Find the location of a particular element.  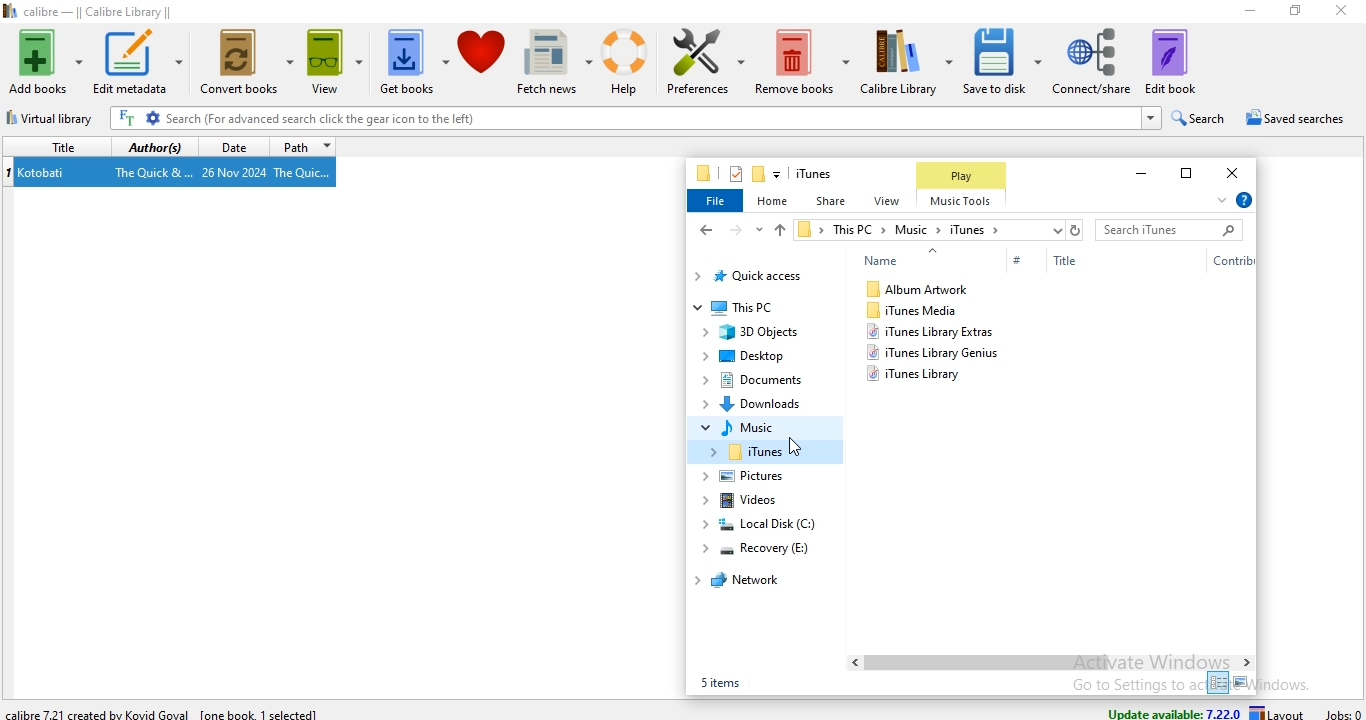

calibre library is located at coordinates (907, 61).